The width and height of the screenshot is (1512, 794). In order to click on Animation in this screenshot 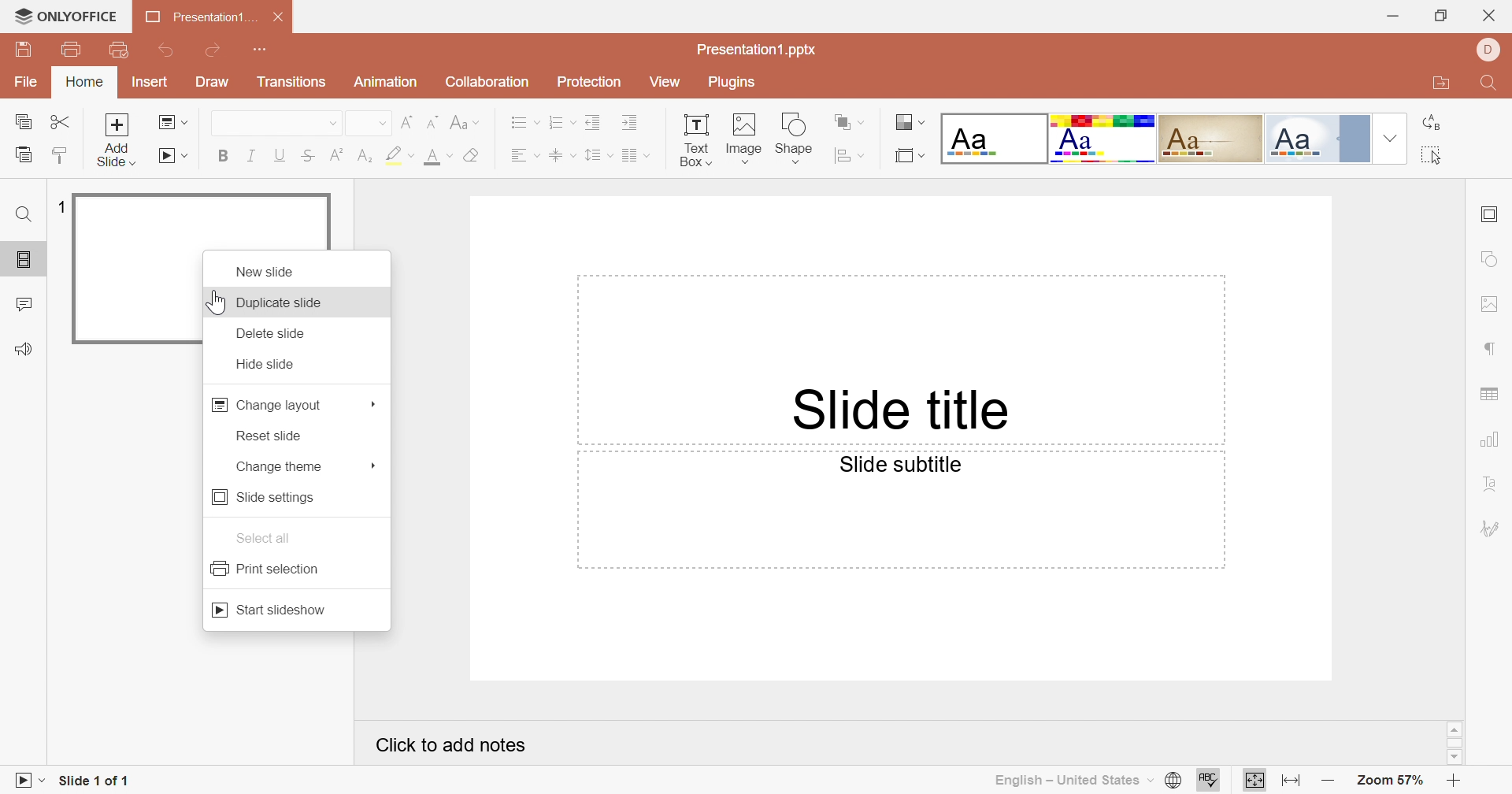, I will do `click(388, 82)`.